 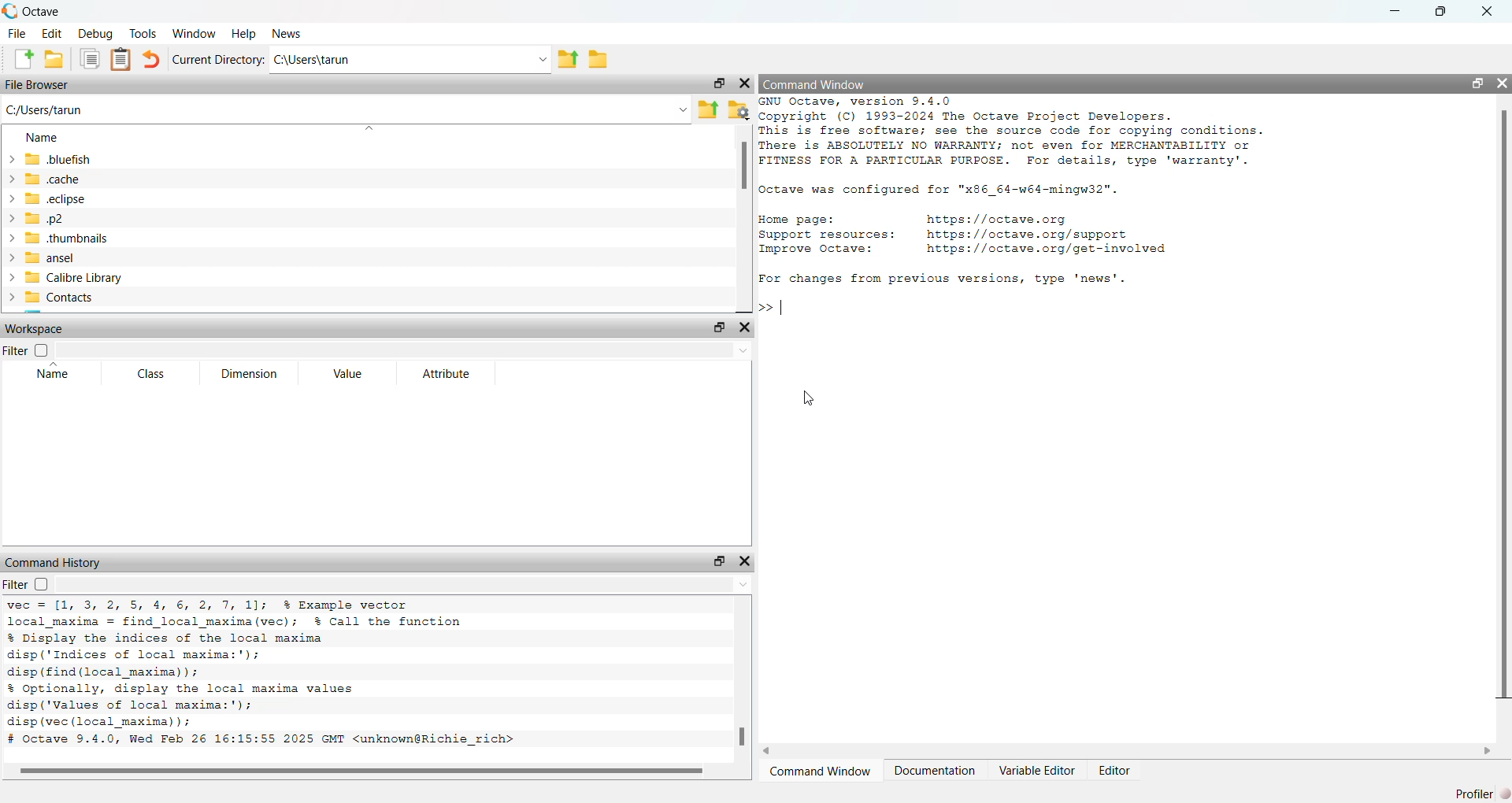 What do you see at coordinates (50, 258) in the screenshot?
I see `ansel` at bounding box center [50, 258].